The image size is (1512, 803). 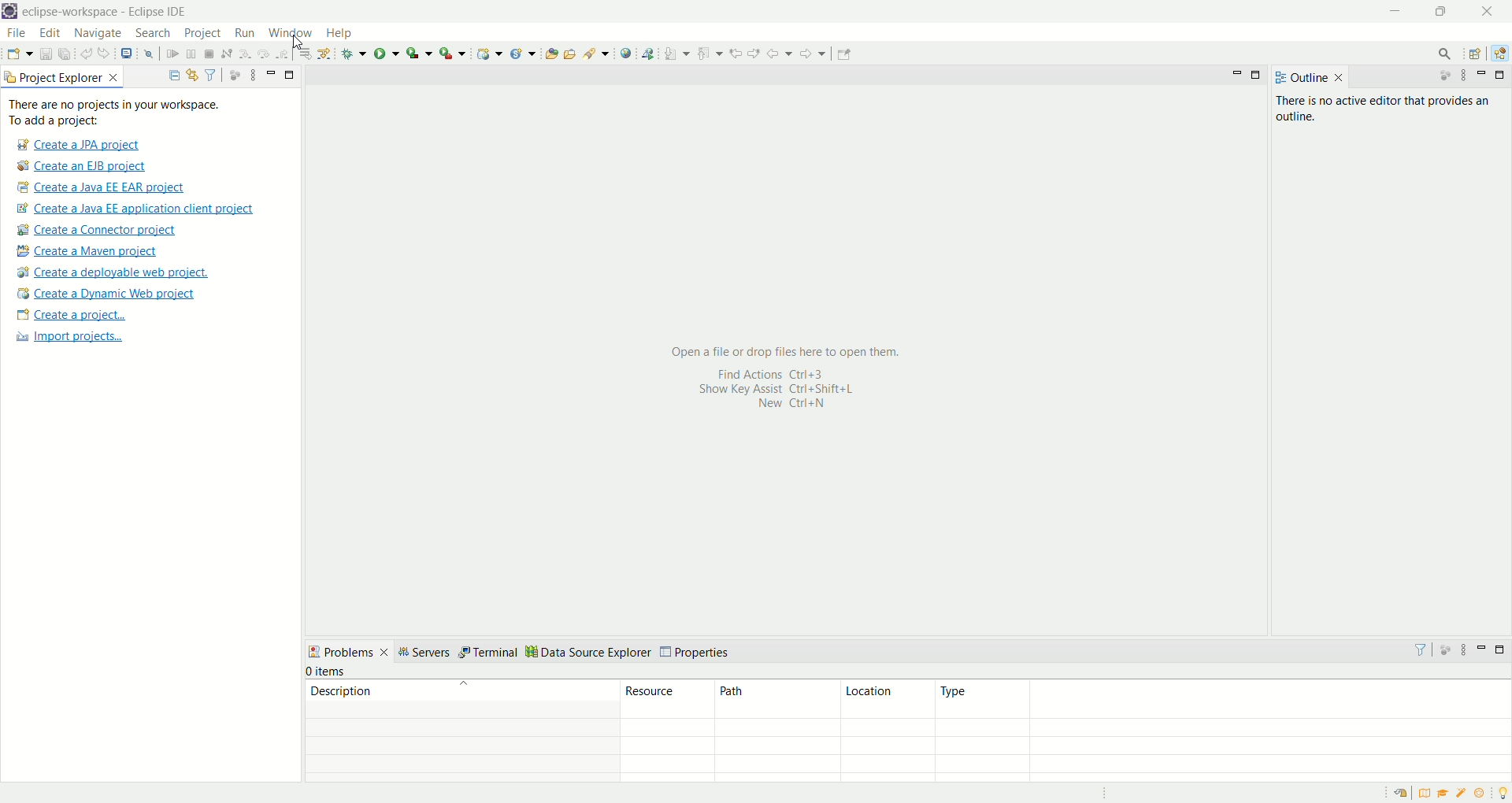 I want to click on run last tool, so click(x=454, y=53).